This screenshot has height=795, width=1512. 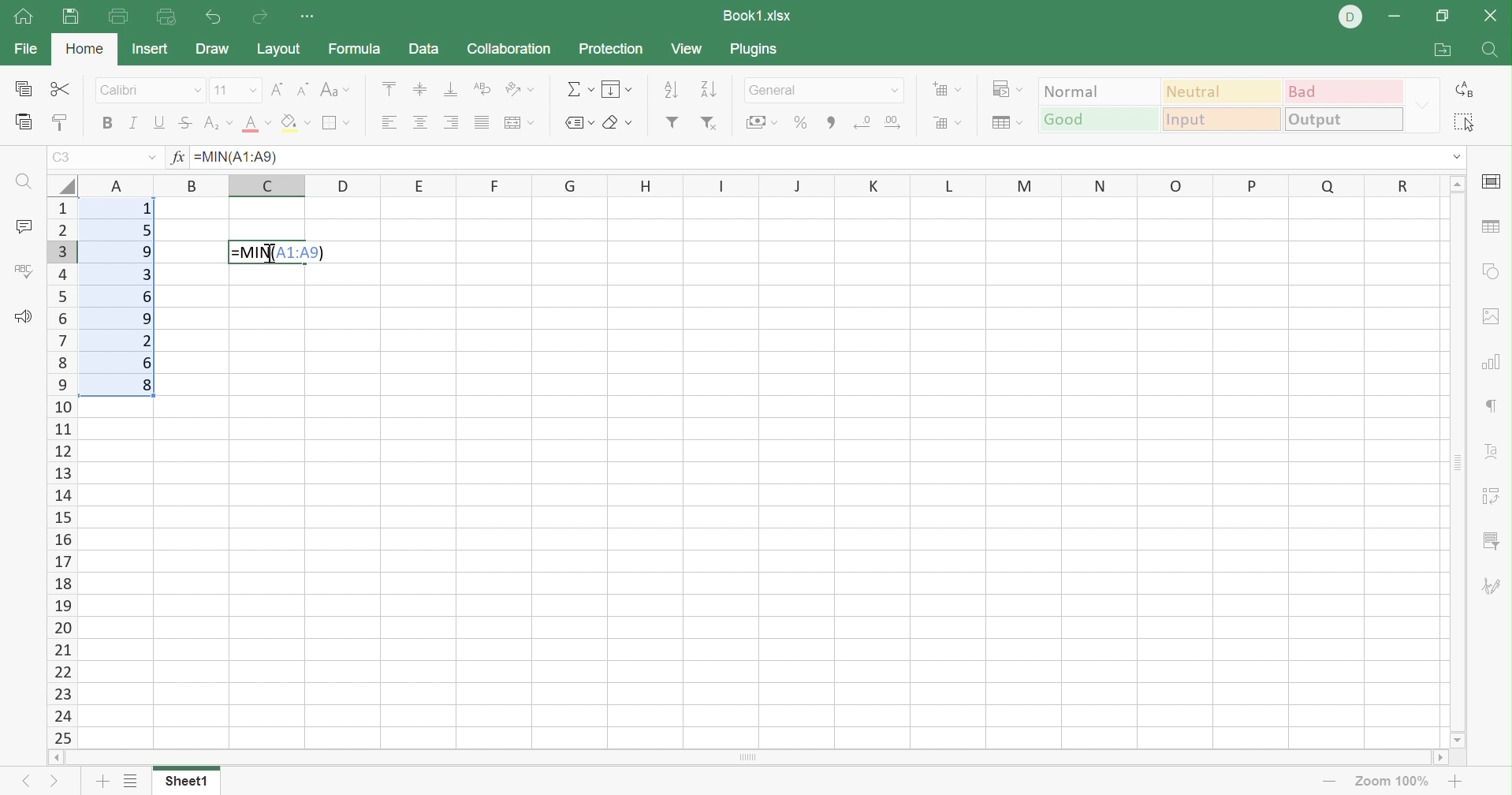 What do you see at coordinates (1492, 17) in the screenshot?
I see `Close` at bounding box center [1492, 17].